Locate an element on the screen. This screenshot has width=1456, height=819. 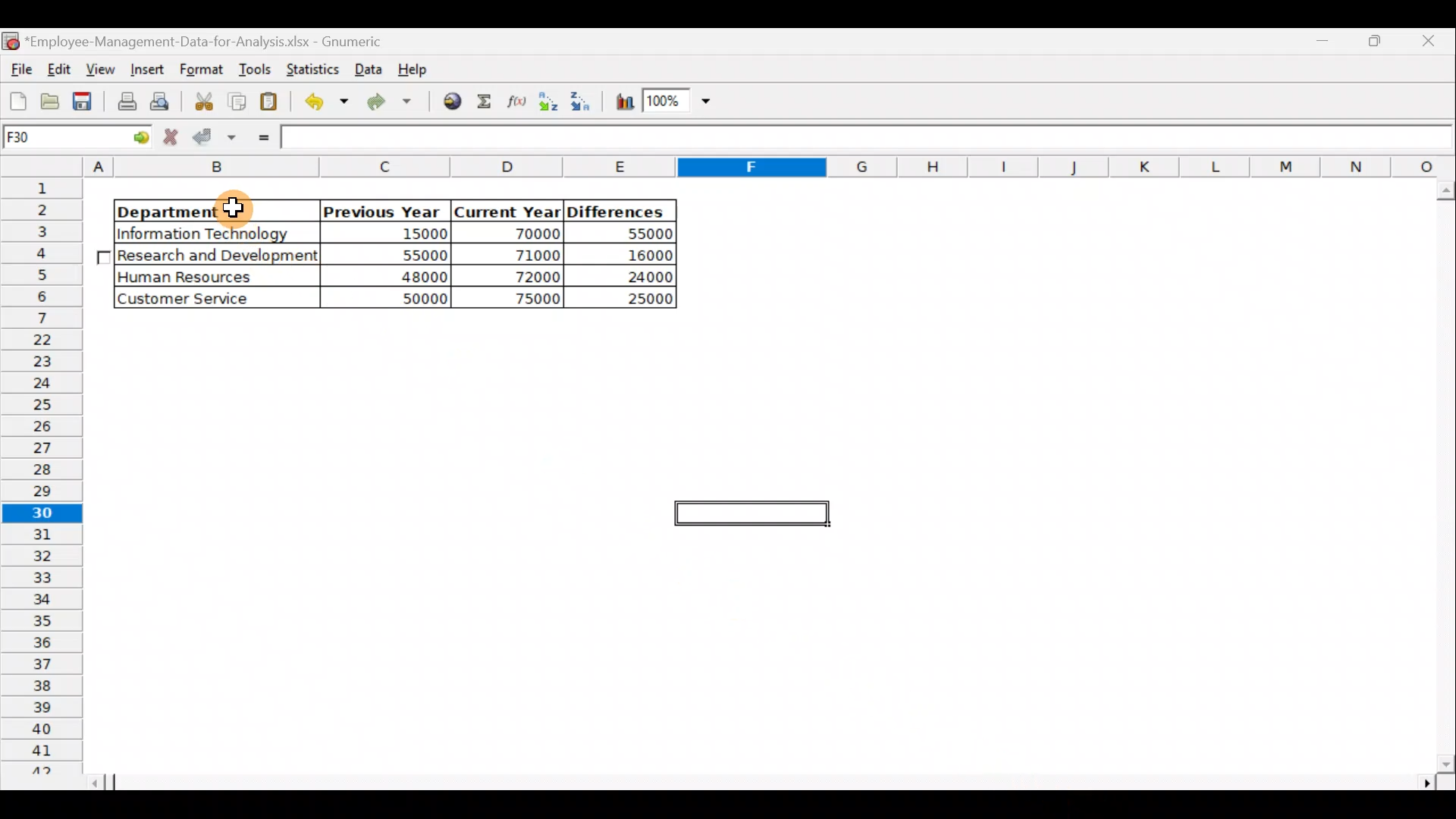
16000 is located at coordinates (638, 256).